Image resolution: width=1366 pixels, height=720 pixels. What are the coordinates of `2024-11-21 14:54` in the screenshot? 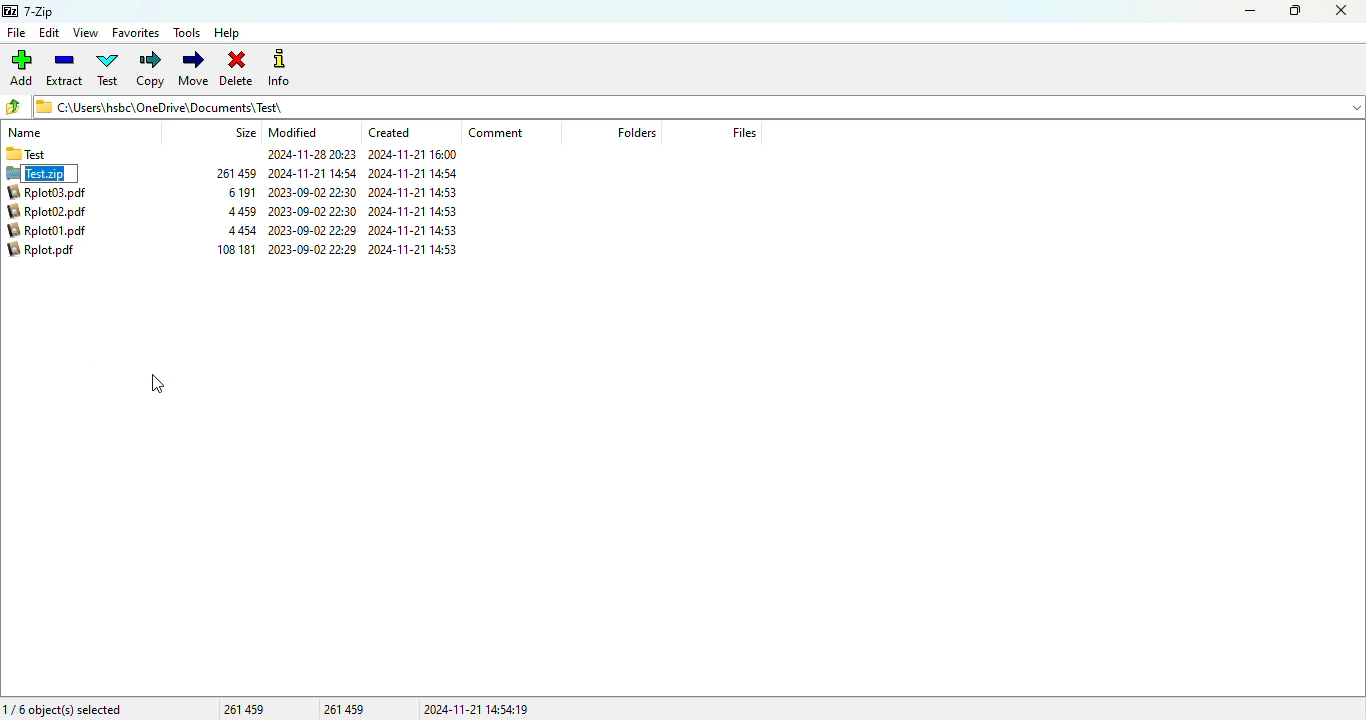 It's located at (314, 173).